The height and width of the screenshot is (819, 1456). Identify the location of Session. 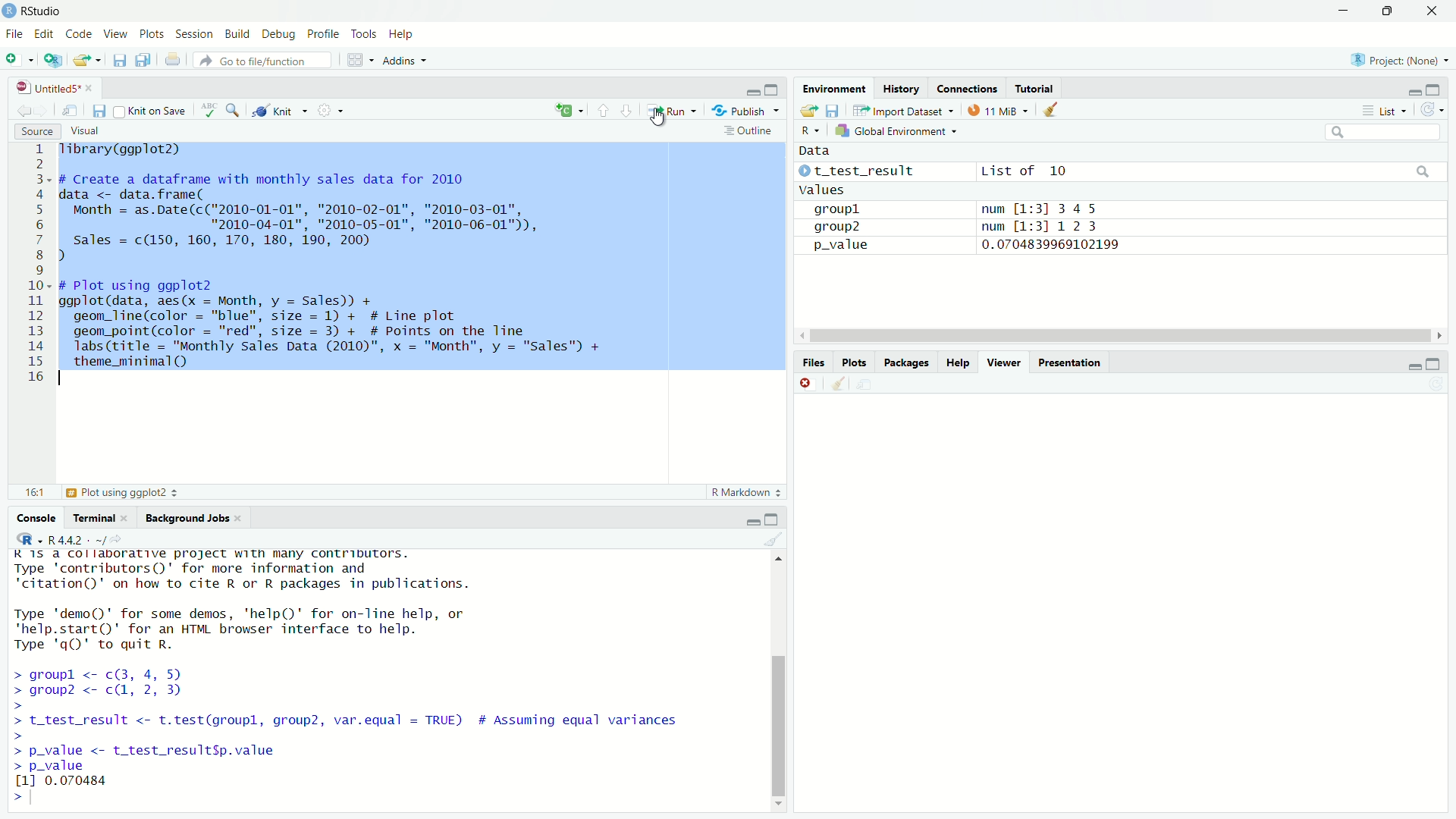
(196, 33).